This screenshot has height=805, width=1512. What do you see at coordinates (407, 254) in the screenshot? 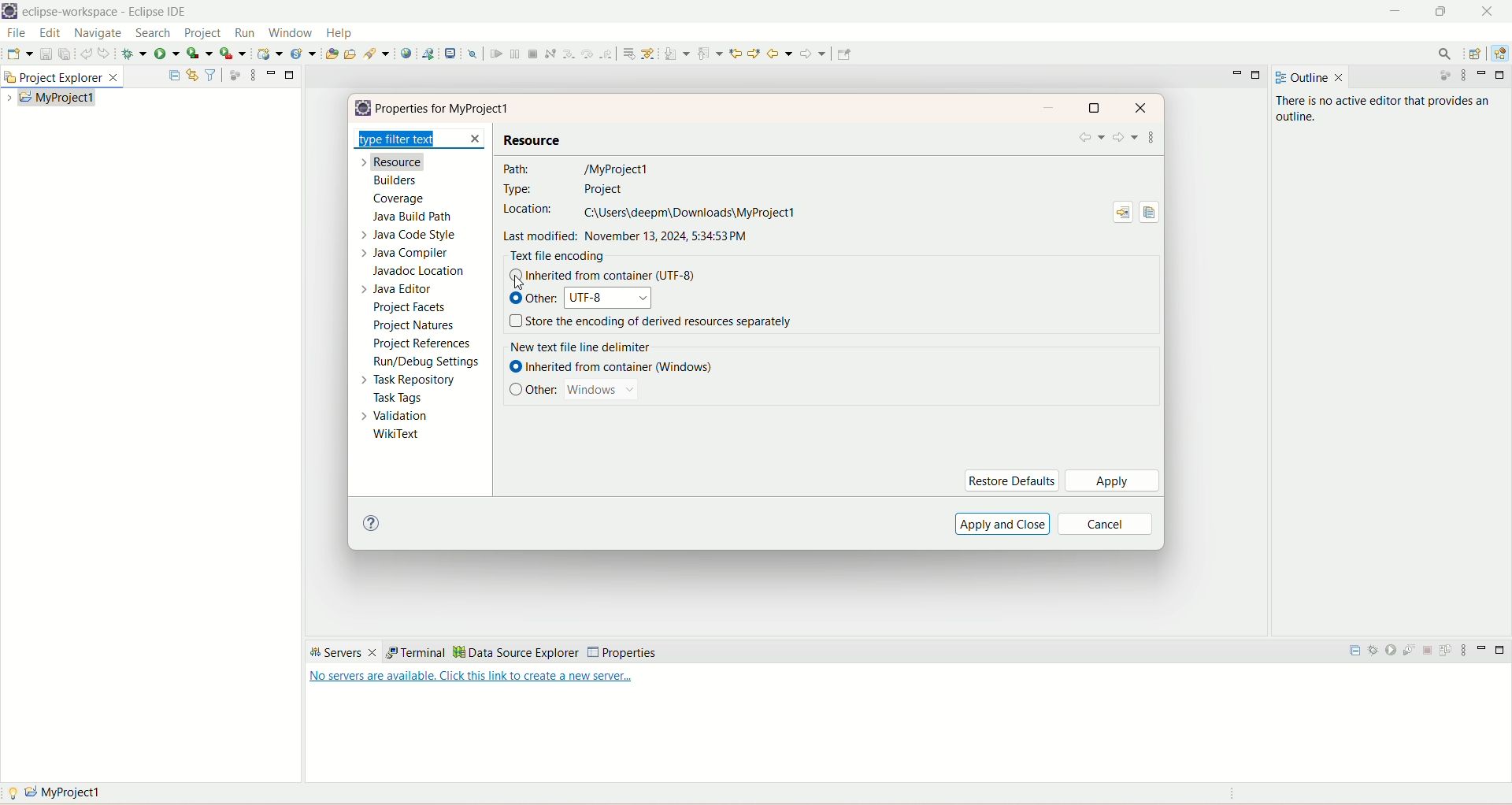
I see `java compiler` at bounding box center [407, 254].